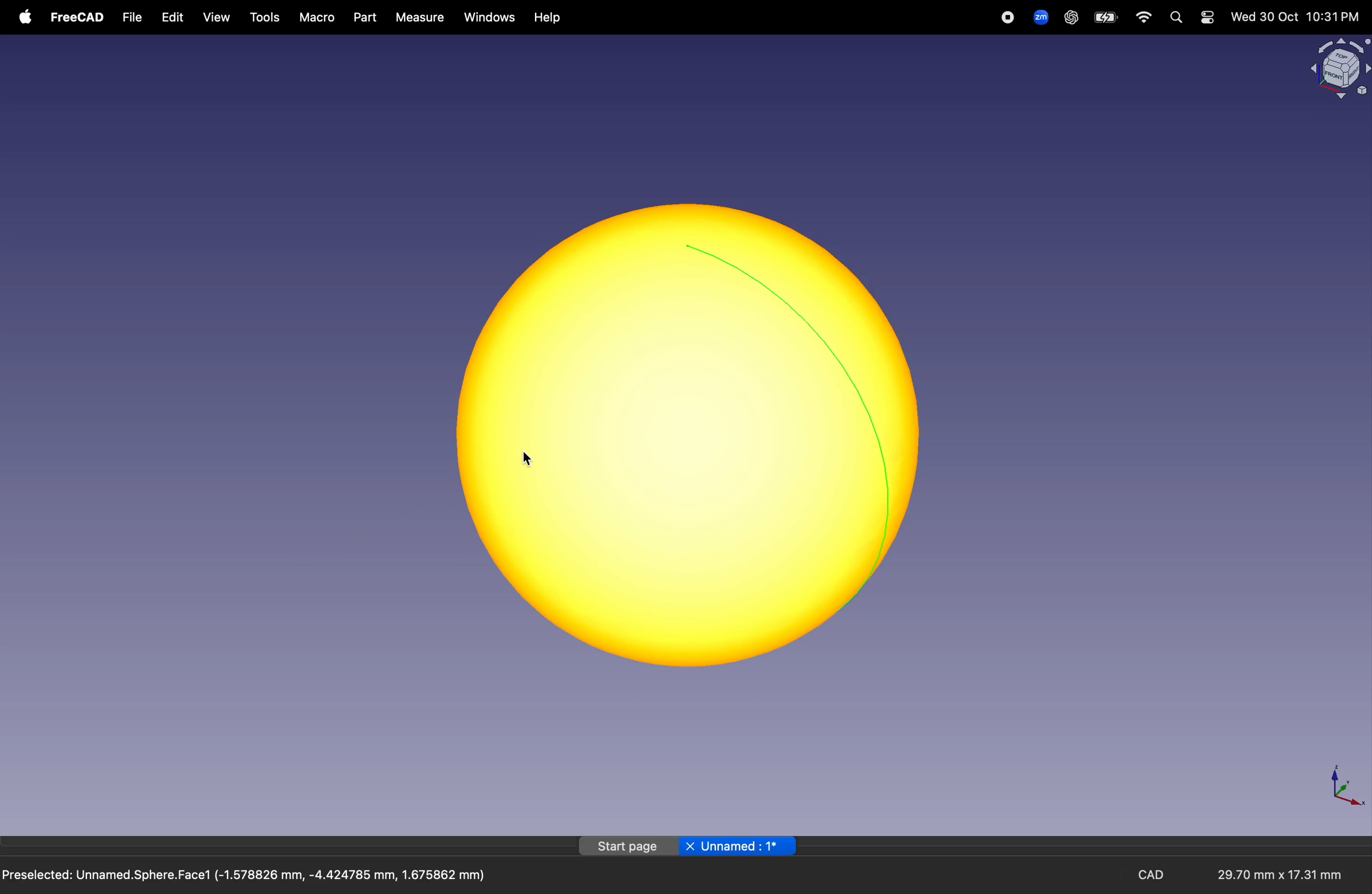 This screenshot has height=894, width=1372. What do you see at coordinates (244, 876) in the screenshot?
I see `Preselected: Unnamed.Sphere.Face1 (-1.578826 mm, -4.424785 mm, 1.675862 mm)` at bounding box center [244, 876].